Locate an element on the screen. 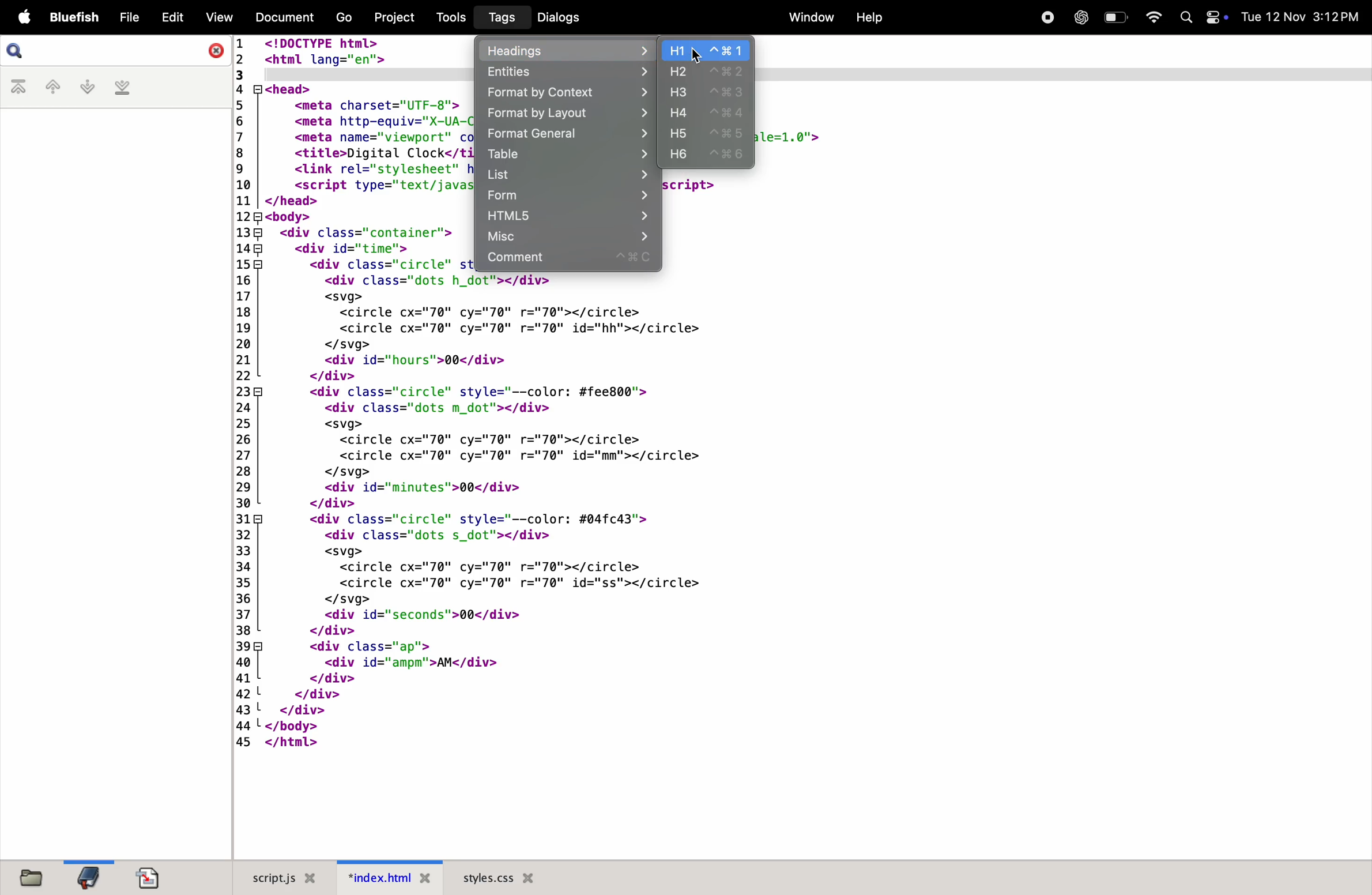 This screenshot has height=895, width=1372. bluefish  is located at coordinates (75, 18).